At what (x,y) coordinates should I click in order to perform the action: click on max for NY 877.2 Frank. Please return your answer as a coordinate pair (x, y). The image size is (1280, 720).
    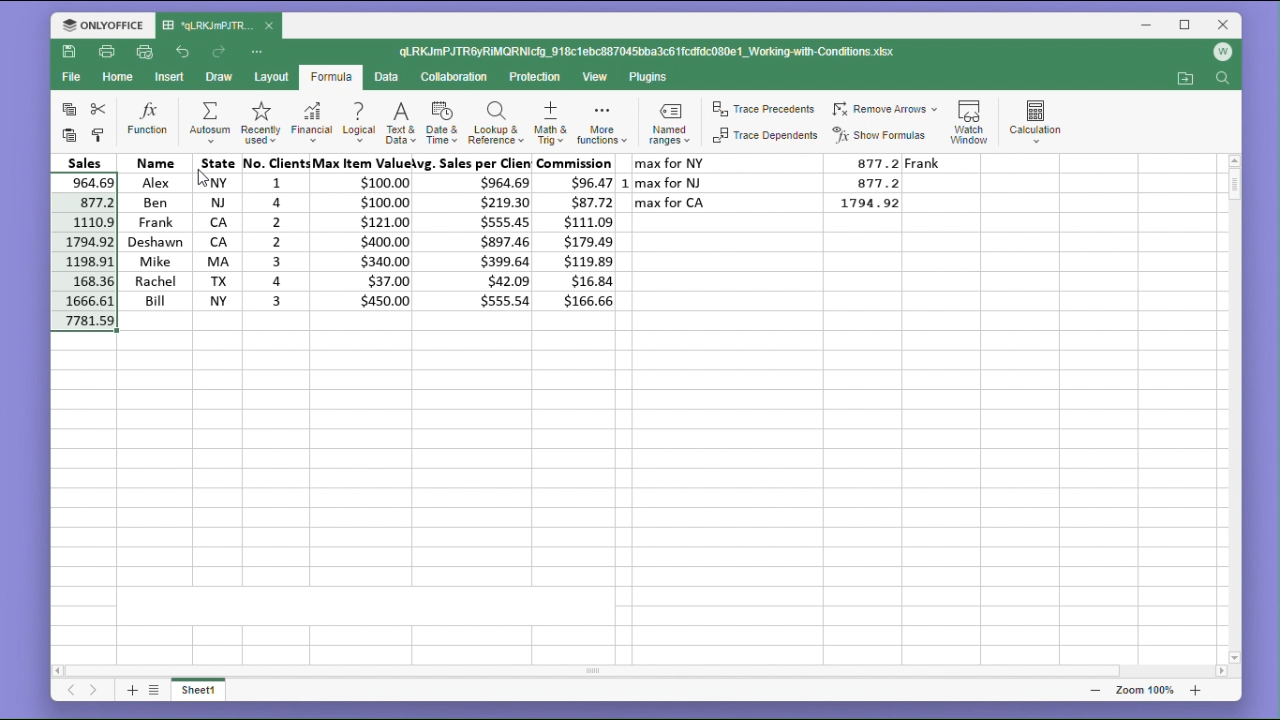
    Looking at the image, I should click on (807, 163).